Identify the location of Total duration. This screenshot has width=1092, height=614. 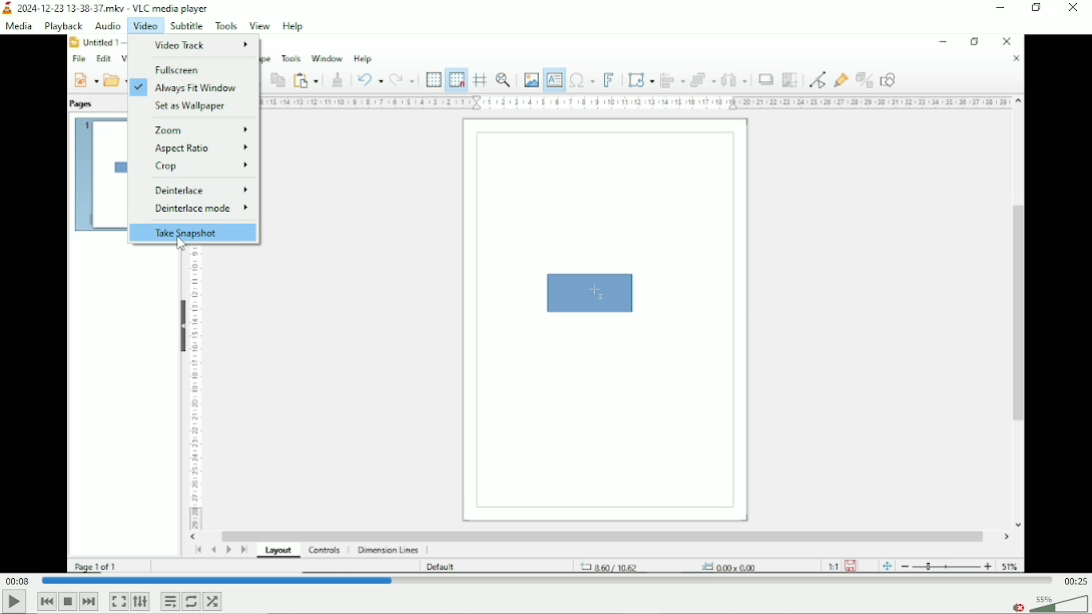
(1076, 580).